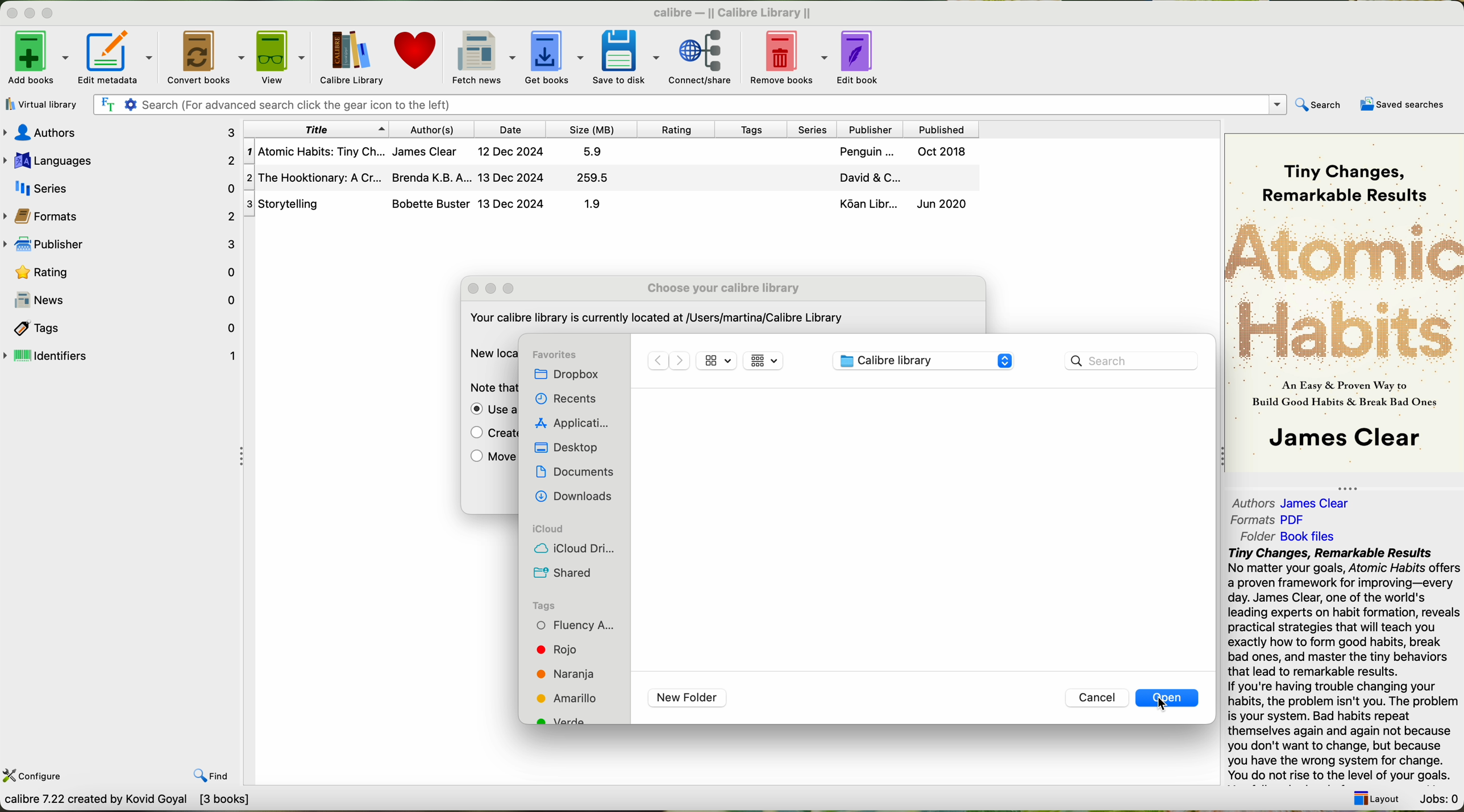 The height and width of the screenshot is (812, 1464). I want to click on calibre — || Calibre Library ||, so click(736, 12).